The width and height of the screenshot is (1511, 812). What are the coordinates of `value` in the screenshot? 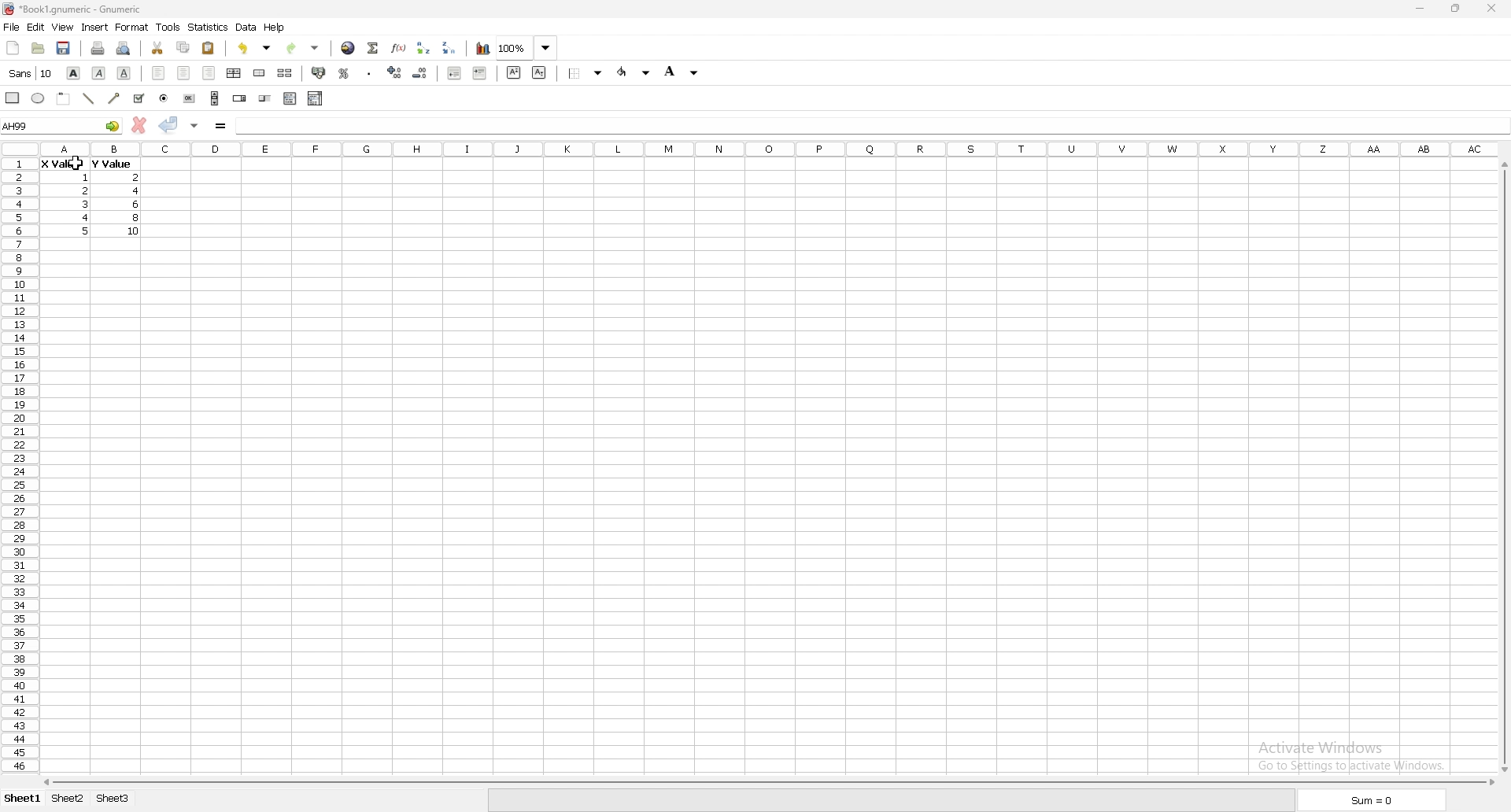 It's located at (84, 190).